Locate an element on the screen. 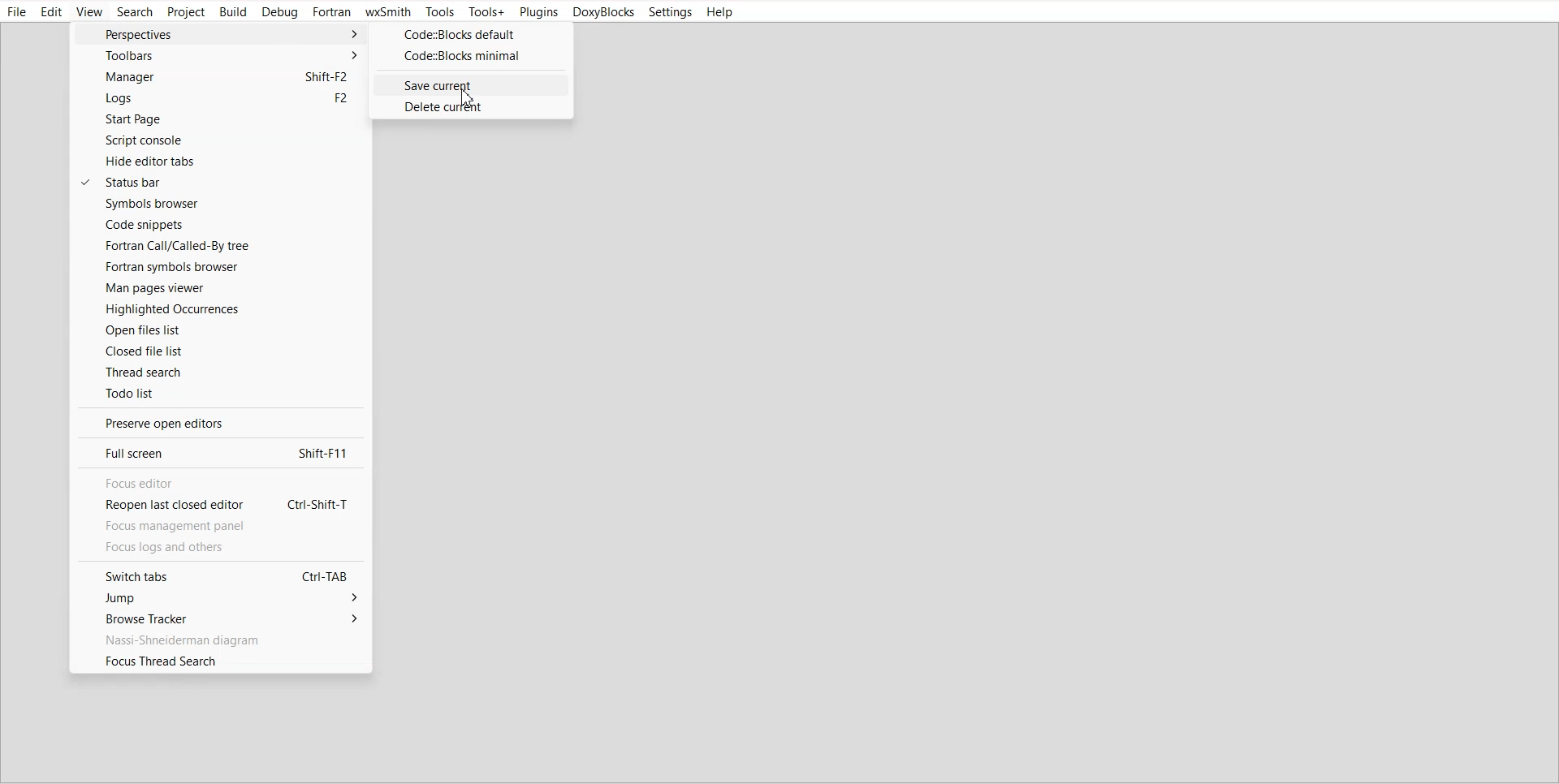 The height and width of the screenshot is (784, 1559). Manager is located at coordinates (216, 77).